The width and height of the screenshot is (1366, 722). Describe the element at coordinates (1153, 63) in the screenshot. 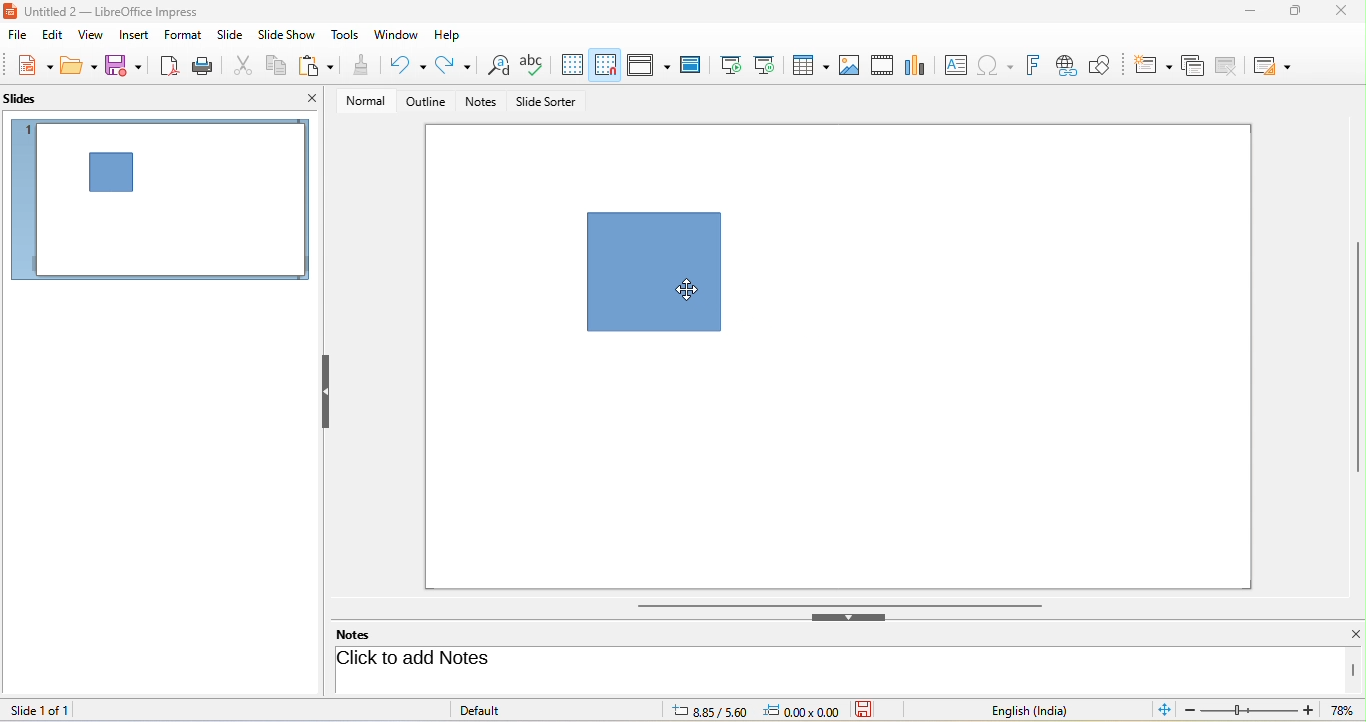

I see `new slide` at that location.